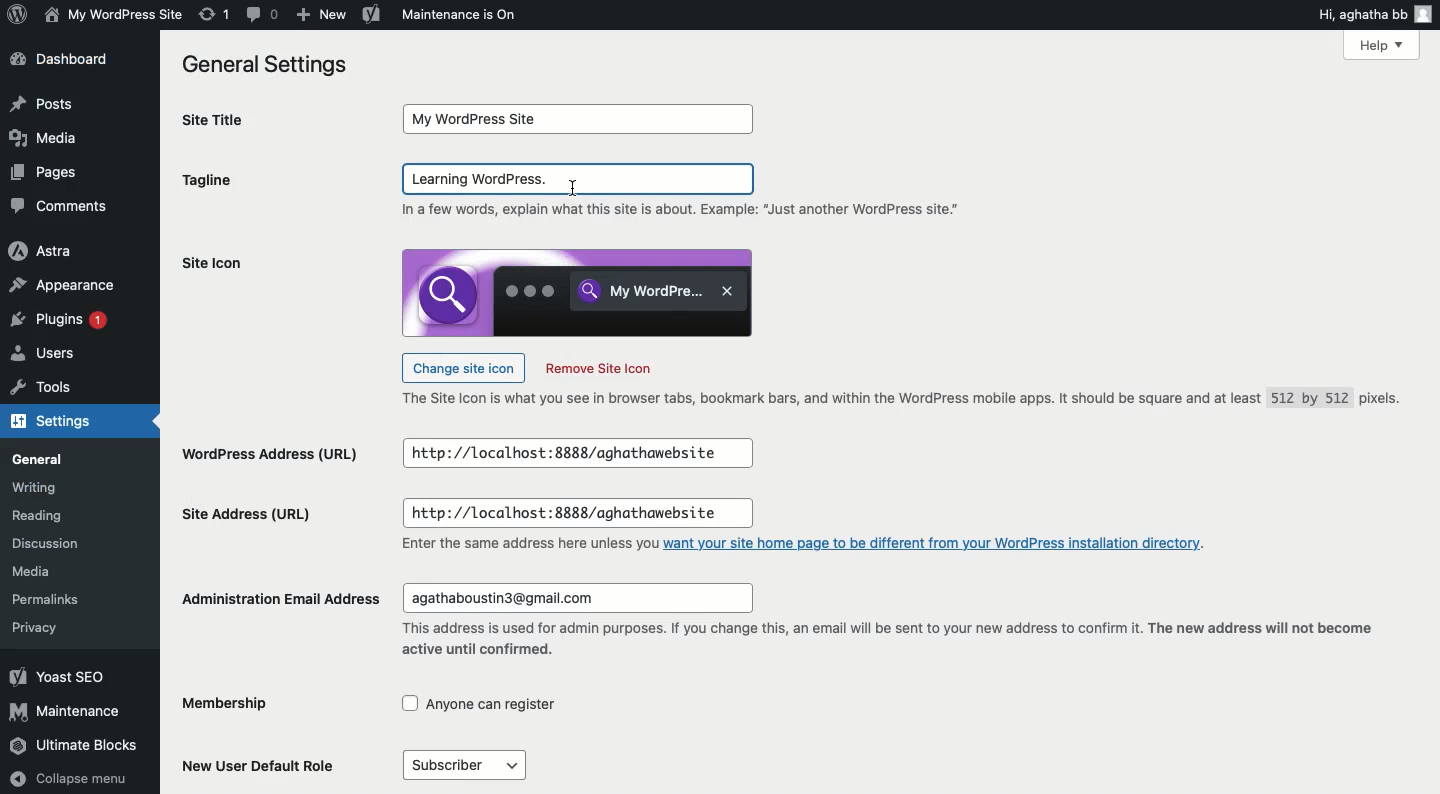 The image size is (1440, 794). I want to click on Privacy, so click(34, 627).